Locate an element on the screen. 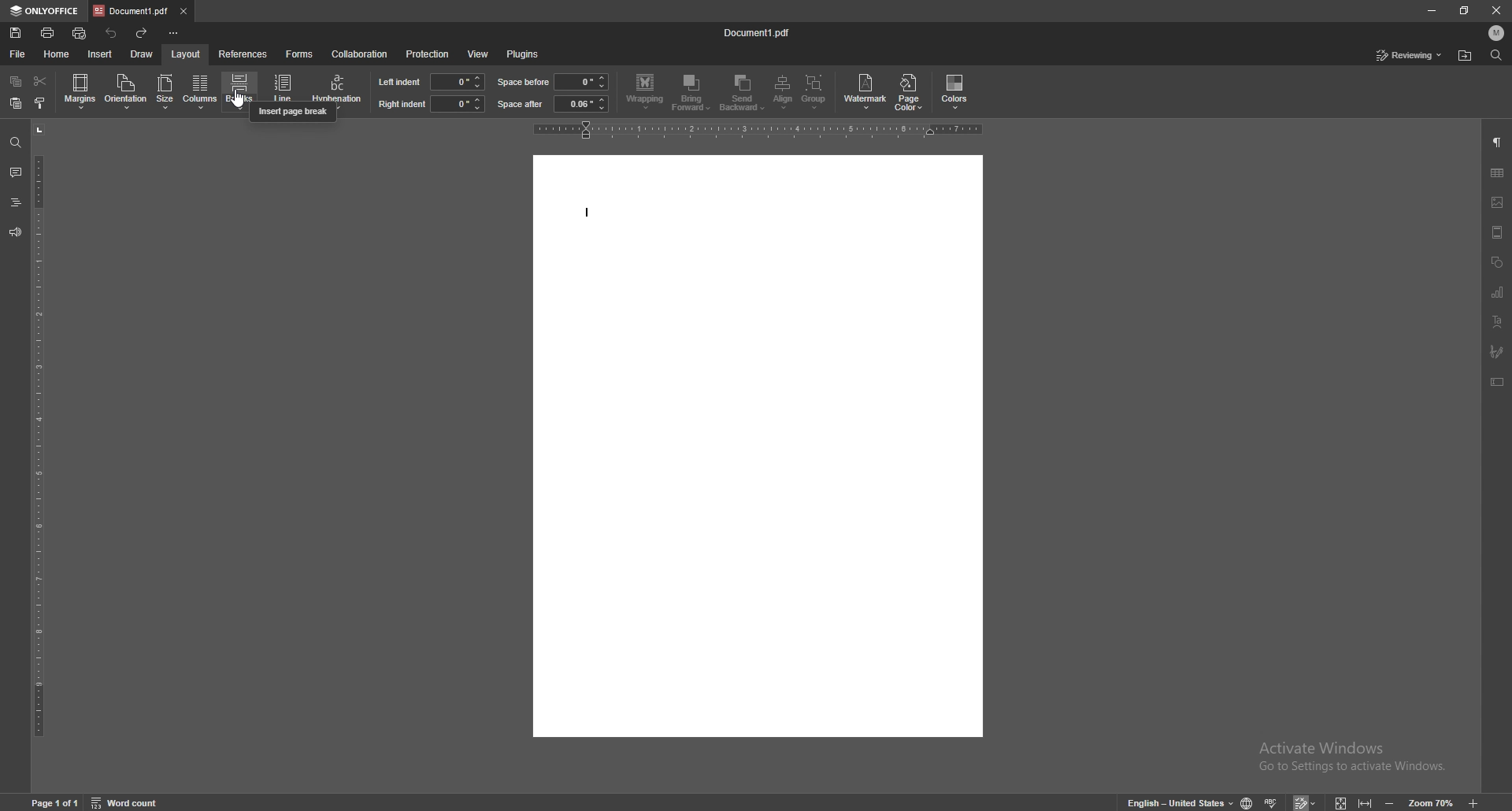 This screenshot has width=1512, height=811. Word count is located at coordinates (135, 802).